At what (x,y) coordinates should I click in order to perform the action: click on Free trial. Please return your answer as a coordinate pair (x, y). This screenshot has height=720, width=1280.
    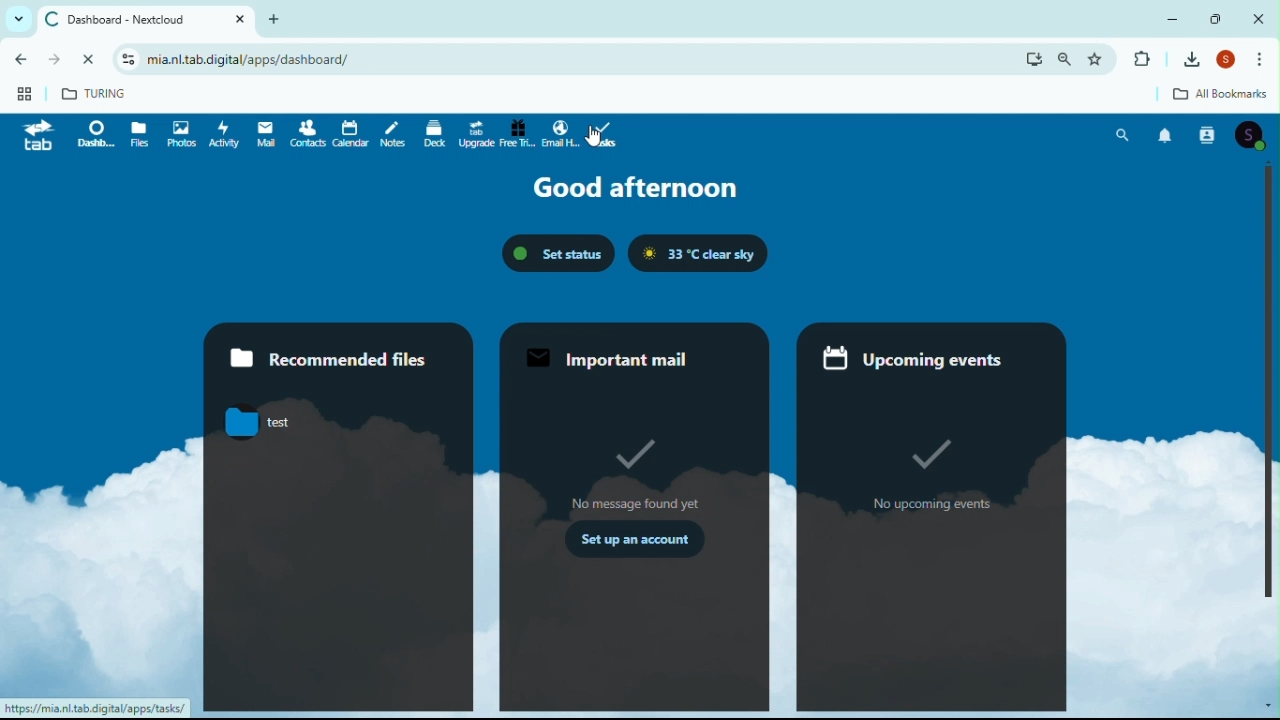
    Looking at the image, I should click on (519, 135).